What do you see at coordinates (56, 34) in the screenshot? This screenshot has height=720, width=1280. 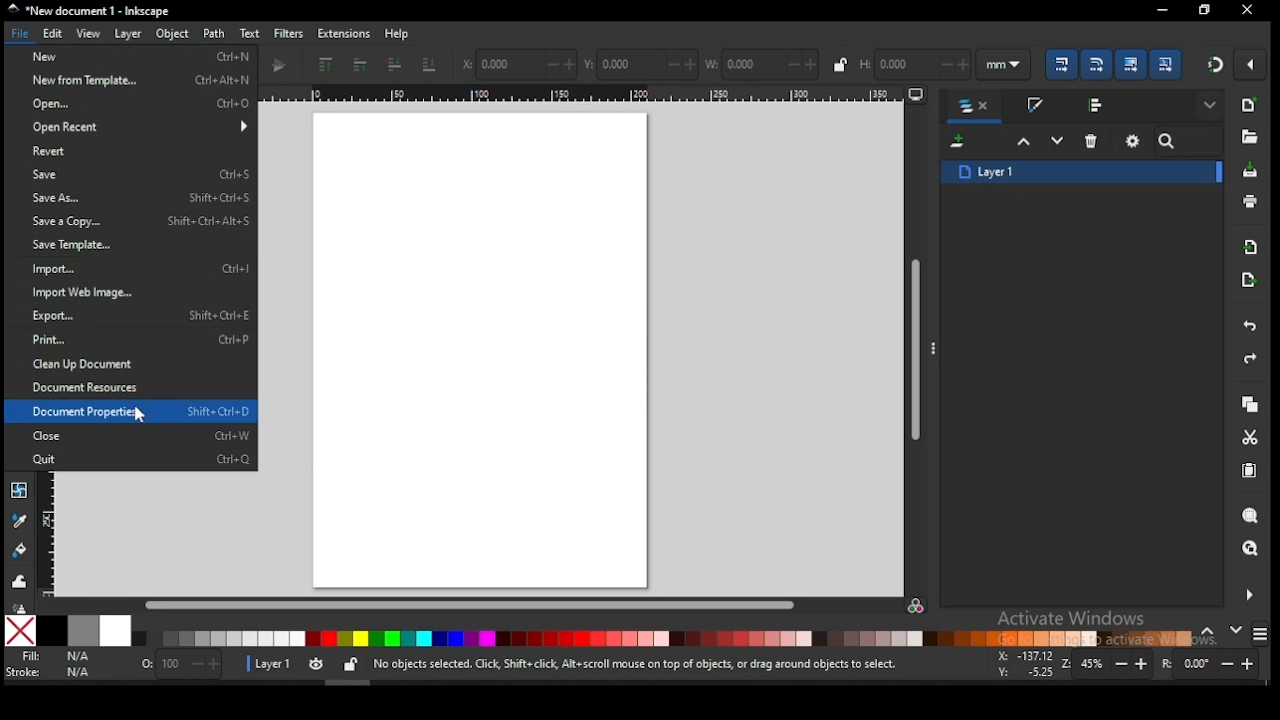 I see `edit` at bounding box center [56, 34].